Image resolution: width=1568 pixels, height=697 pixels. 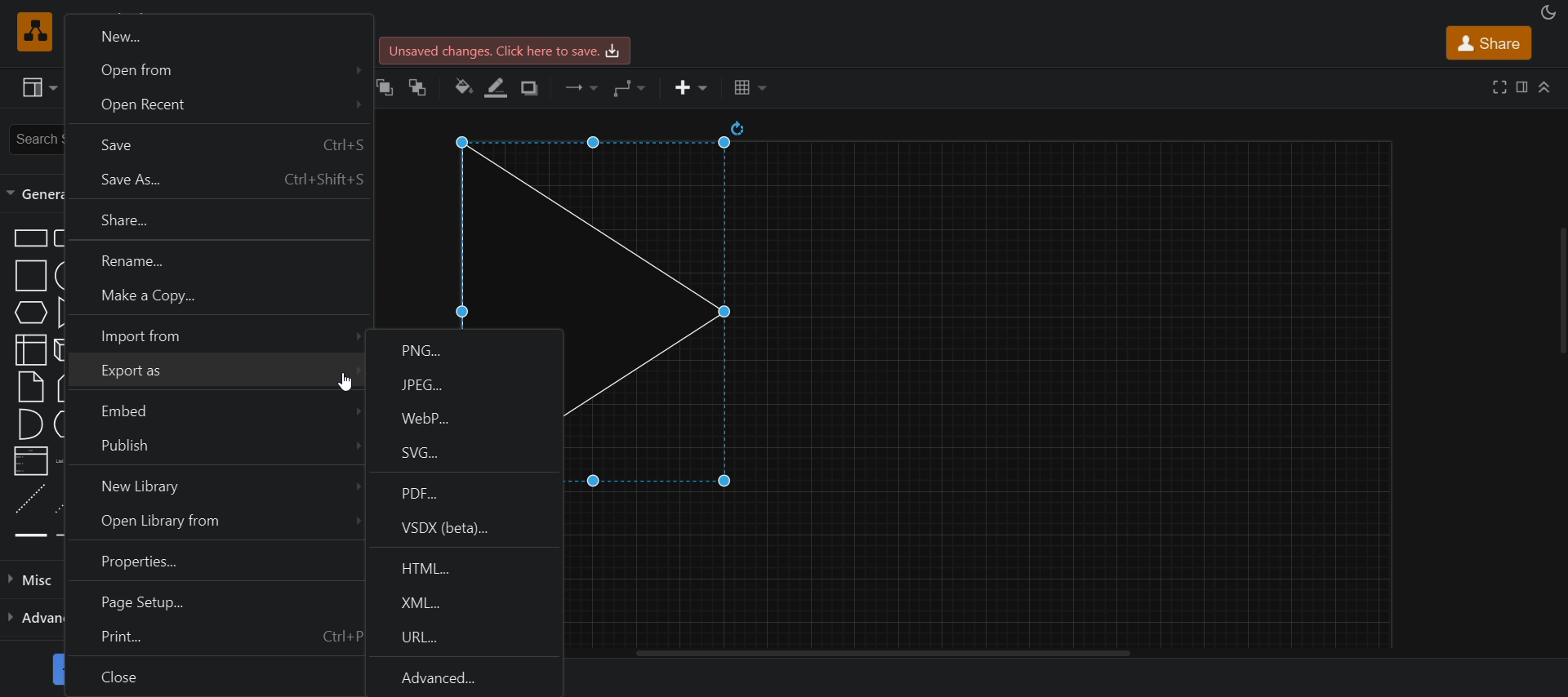 What do you see at coordinates (216, 33) in the screenshot?
I see `new` at bounding box center [216, 33].